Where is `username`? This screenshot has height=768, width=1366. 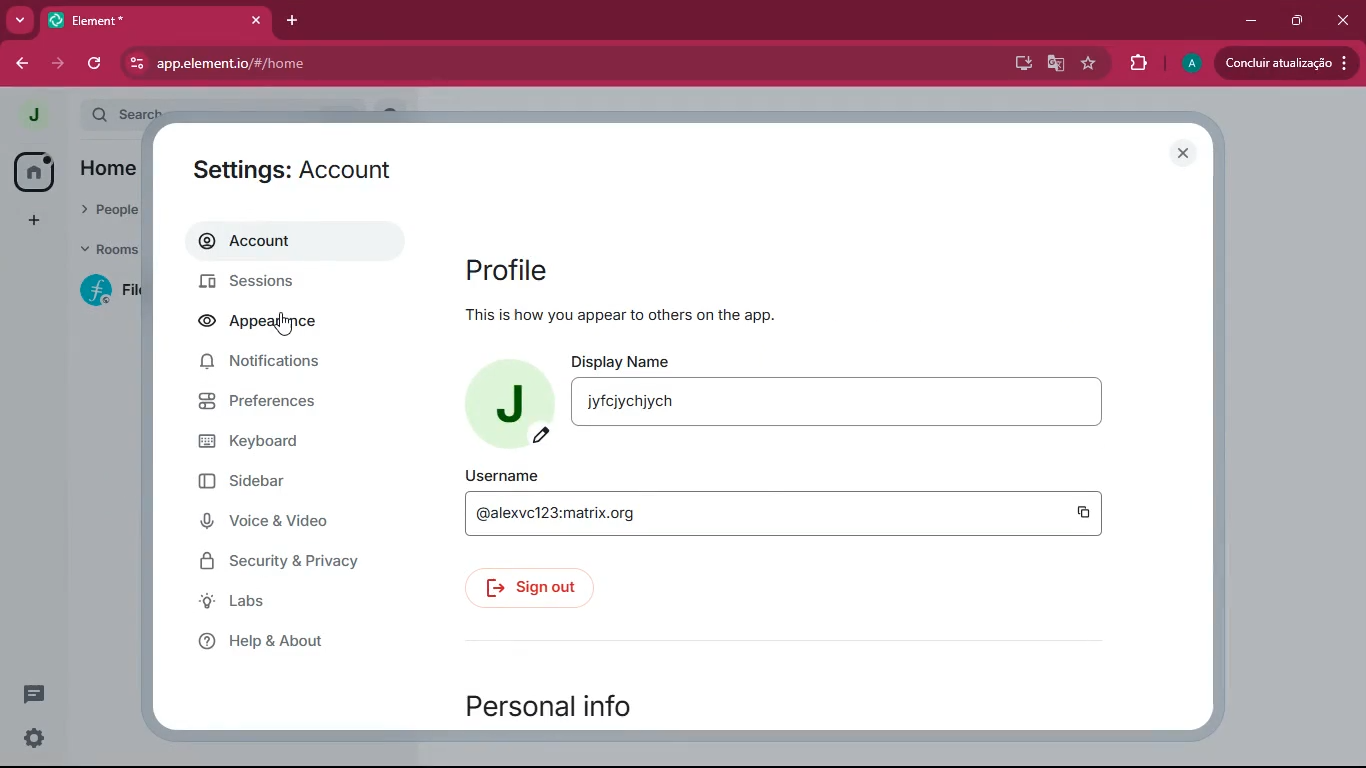
username is located at coordinates (785, 517).